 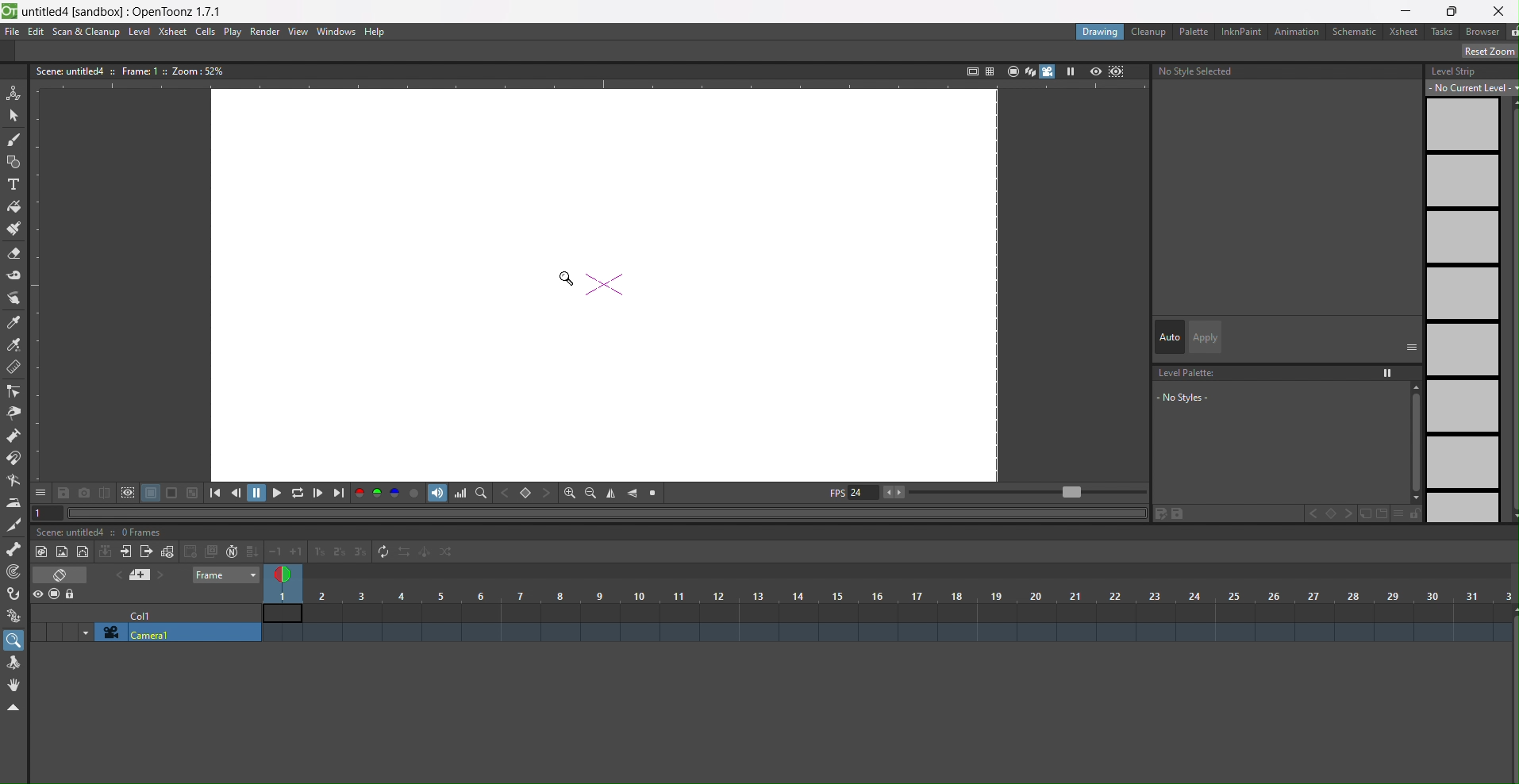 I want to click on file, so click(x=13, y=31).